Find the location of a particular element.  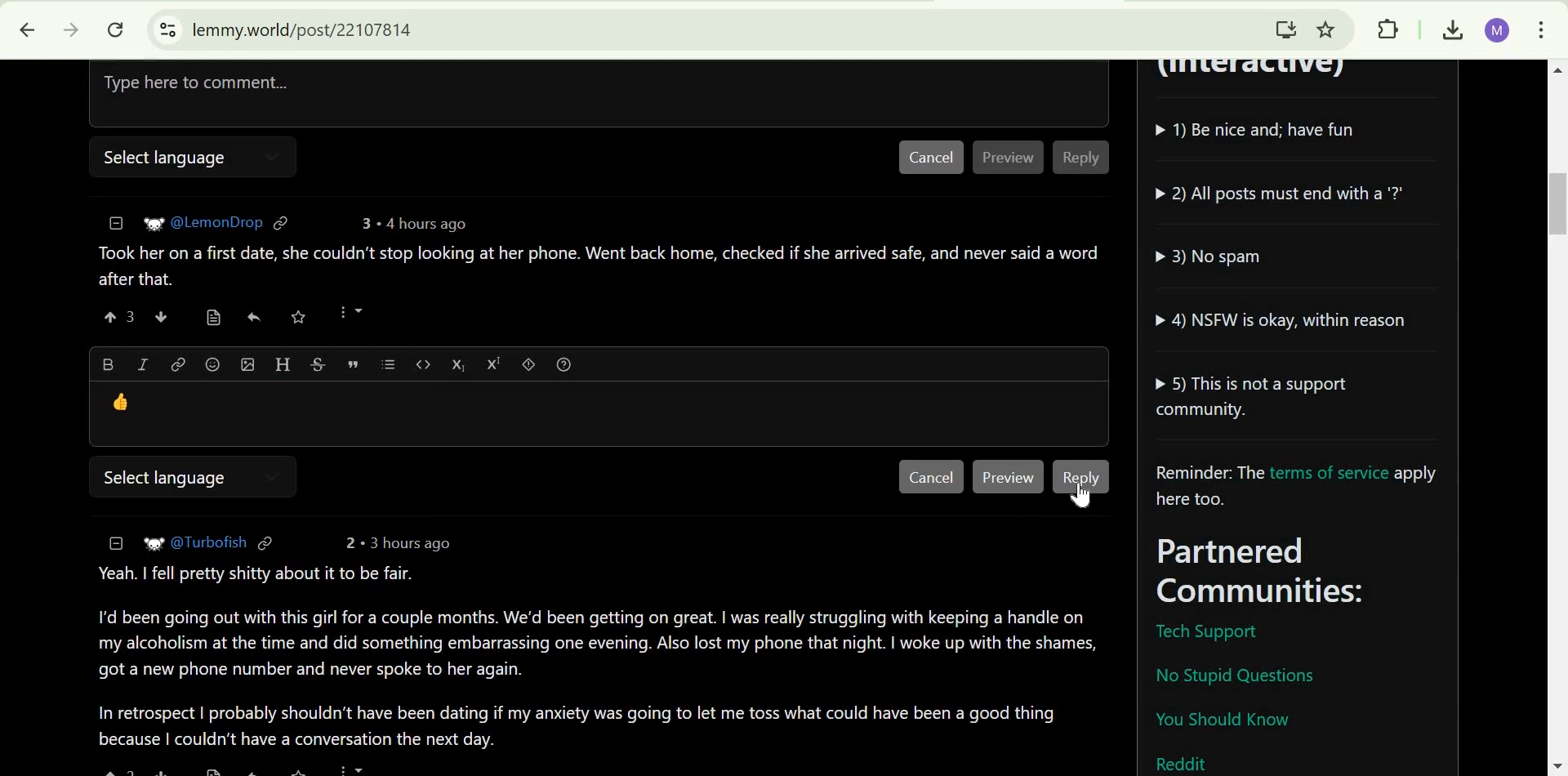

user ID is located at coordinates (216, 221).